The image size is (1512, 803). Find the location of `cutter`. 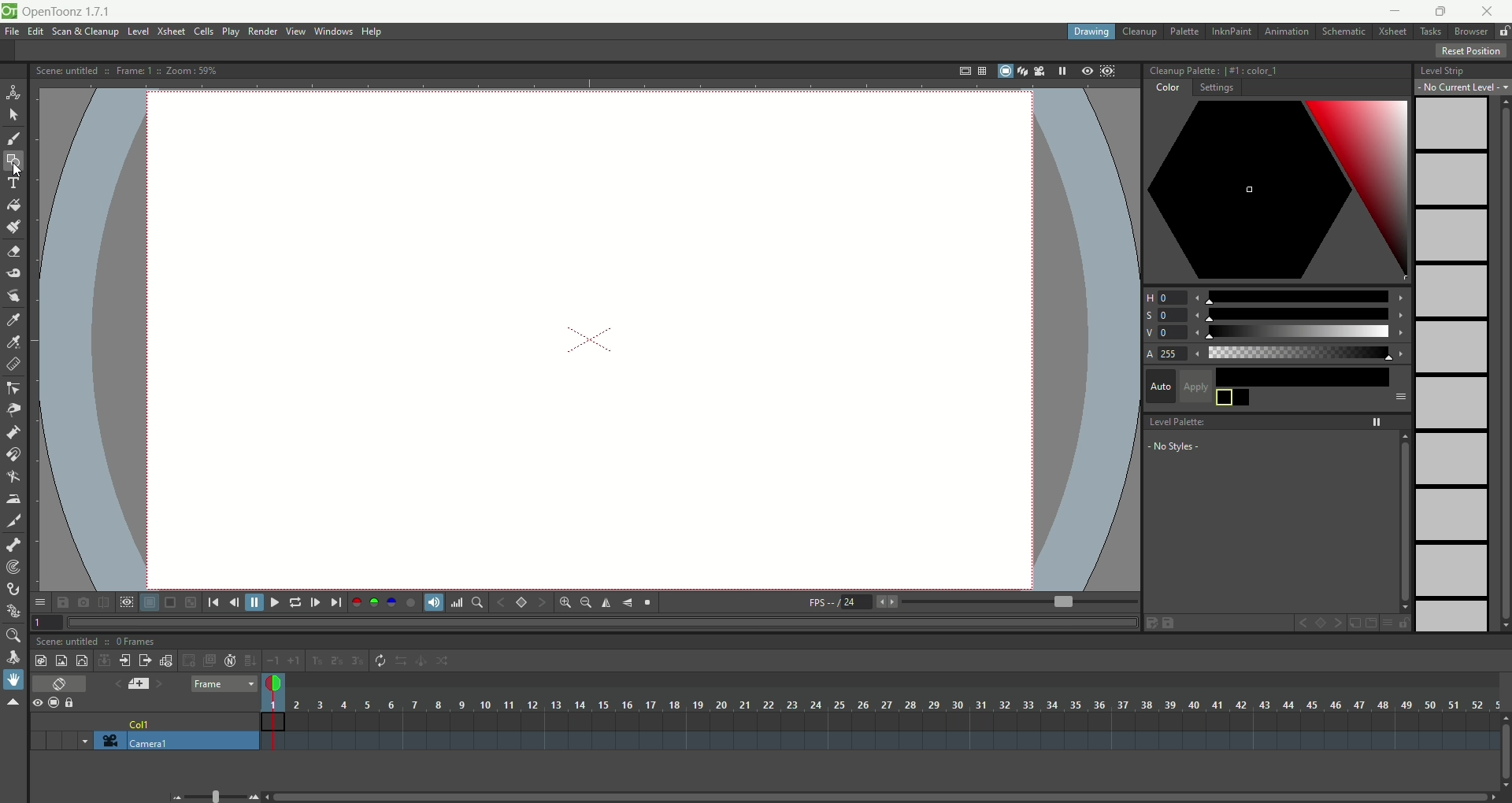

cutter is located at coordinates (16, 520).